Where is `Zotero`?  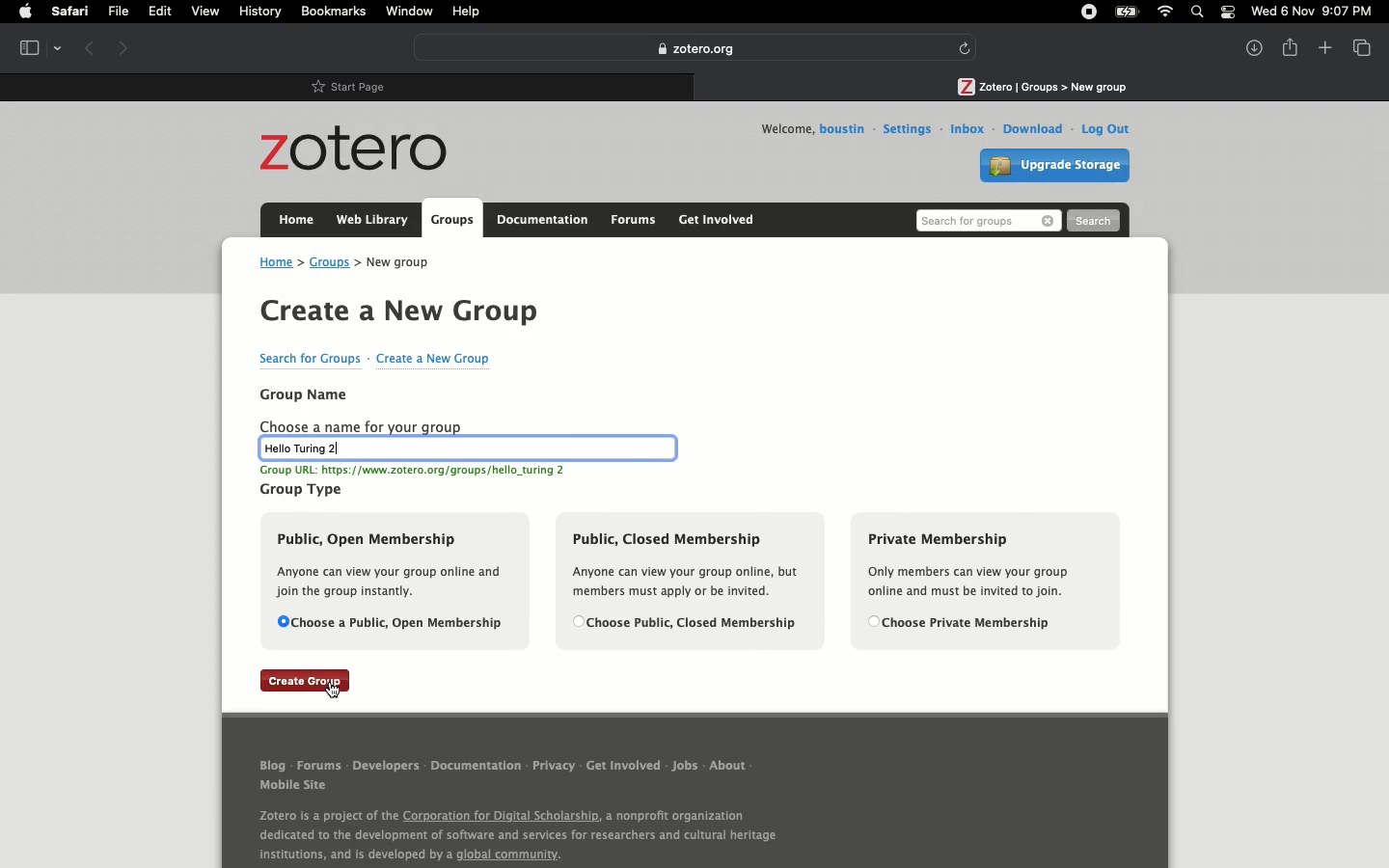 Zotero is located at coordinates (694, 48).